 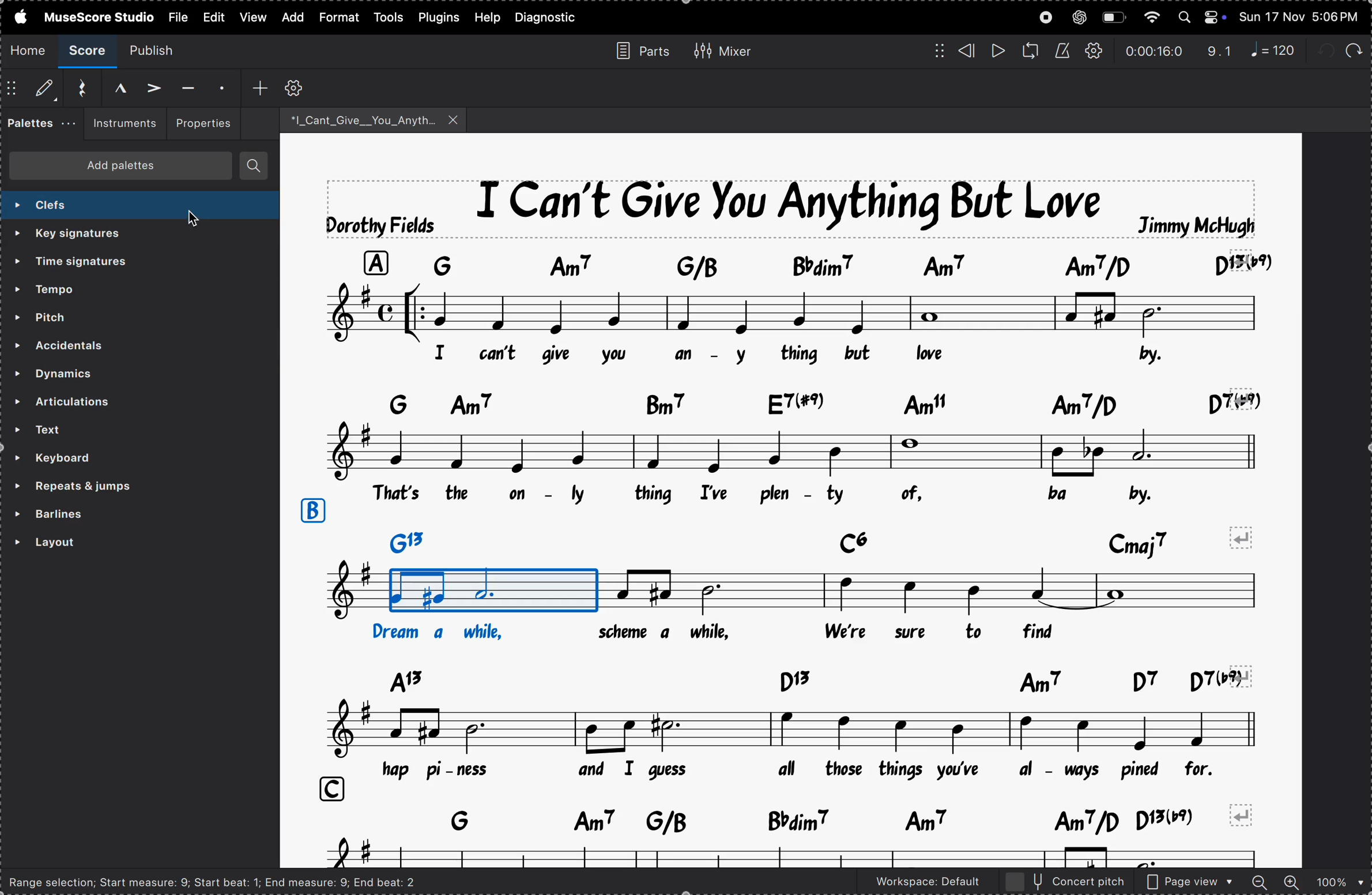 What do you see at coordinates (777, 592) in the screenshot?
I see `notes` at bounding box center [777, 592].